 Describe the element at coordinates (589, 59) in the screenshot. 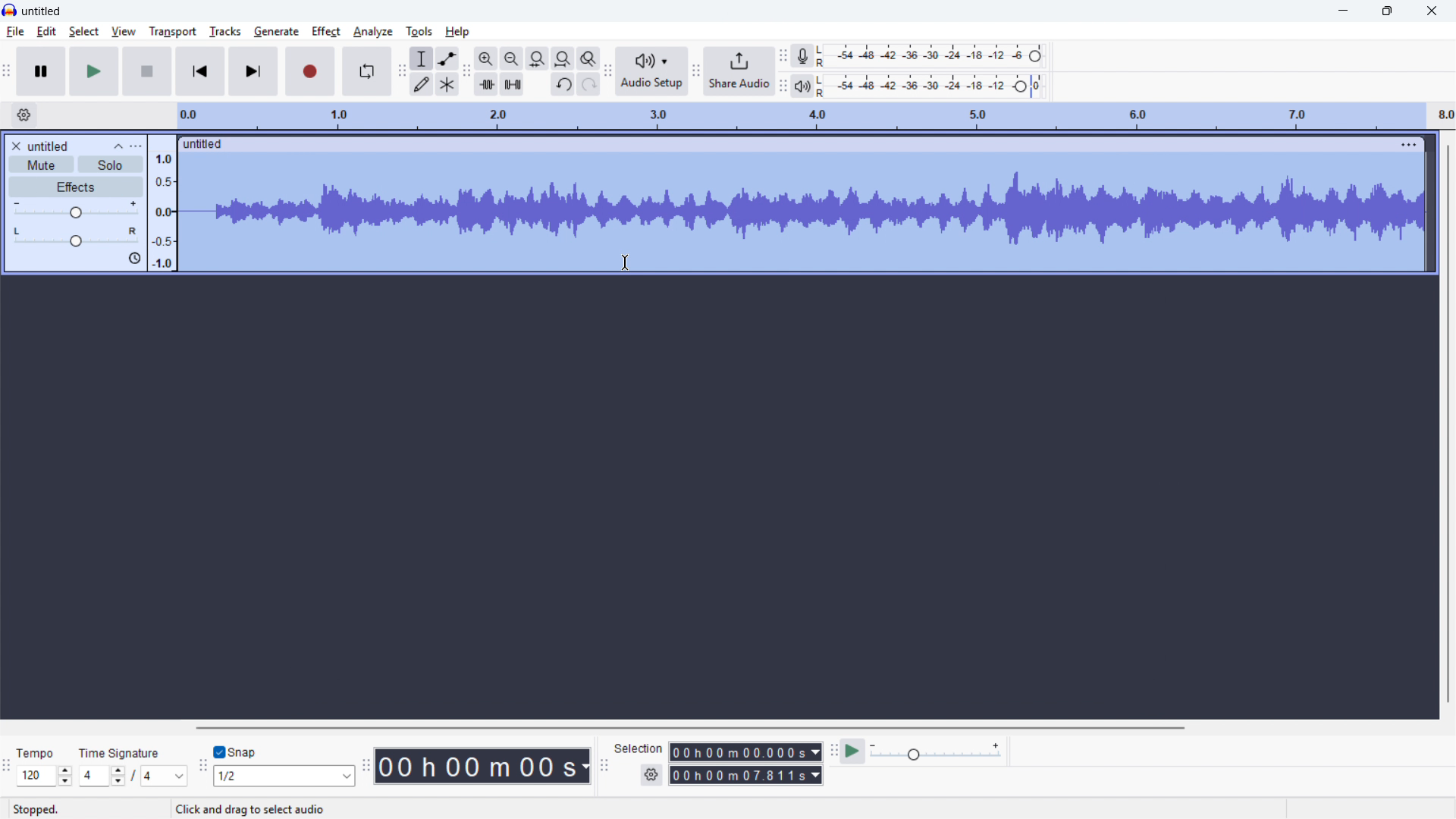

I see `toggle zoom` at that location.